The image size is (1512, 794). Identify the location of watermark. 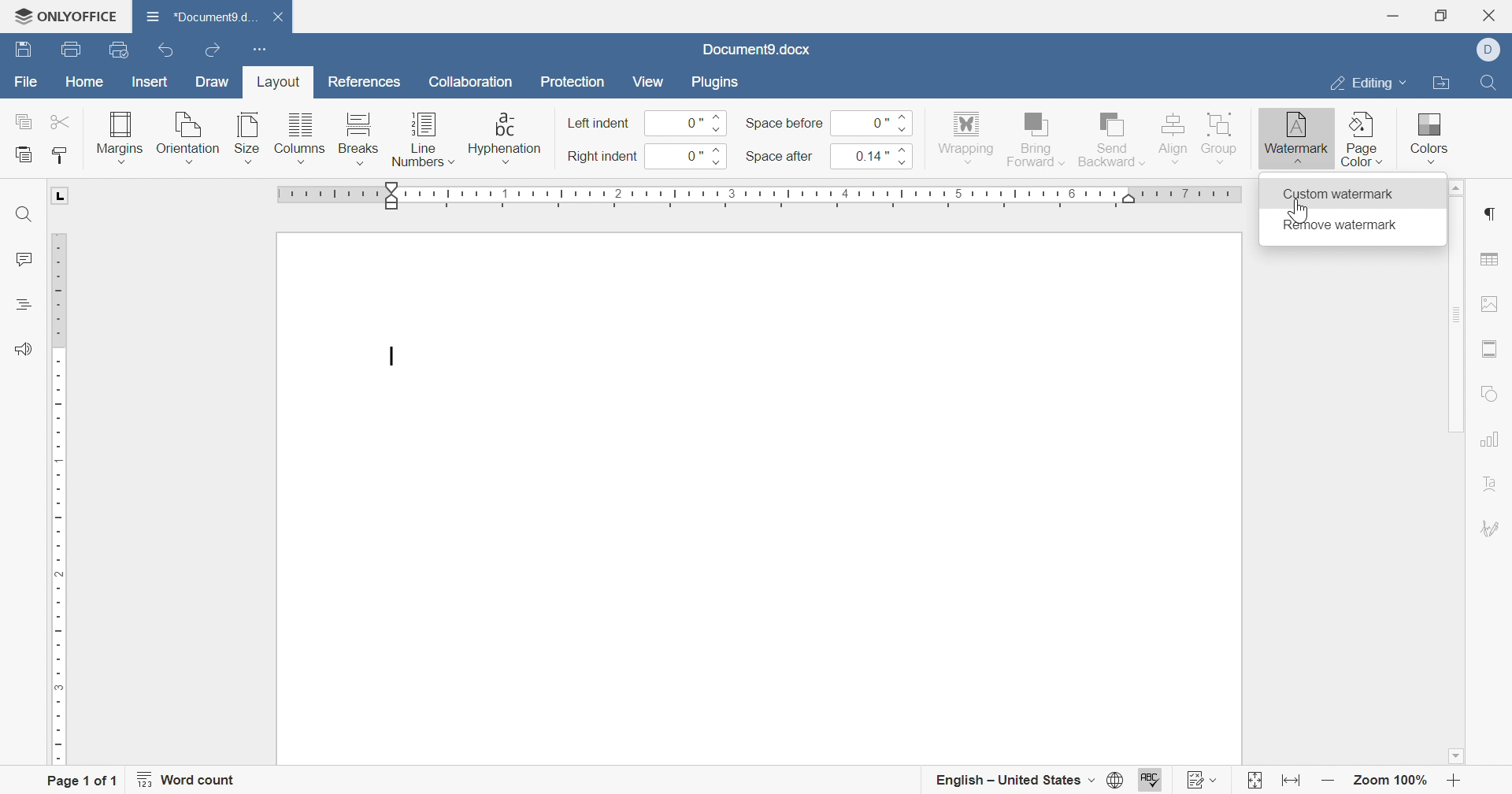
(1295, 133).